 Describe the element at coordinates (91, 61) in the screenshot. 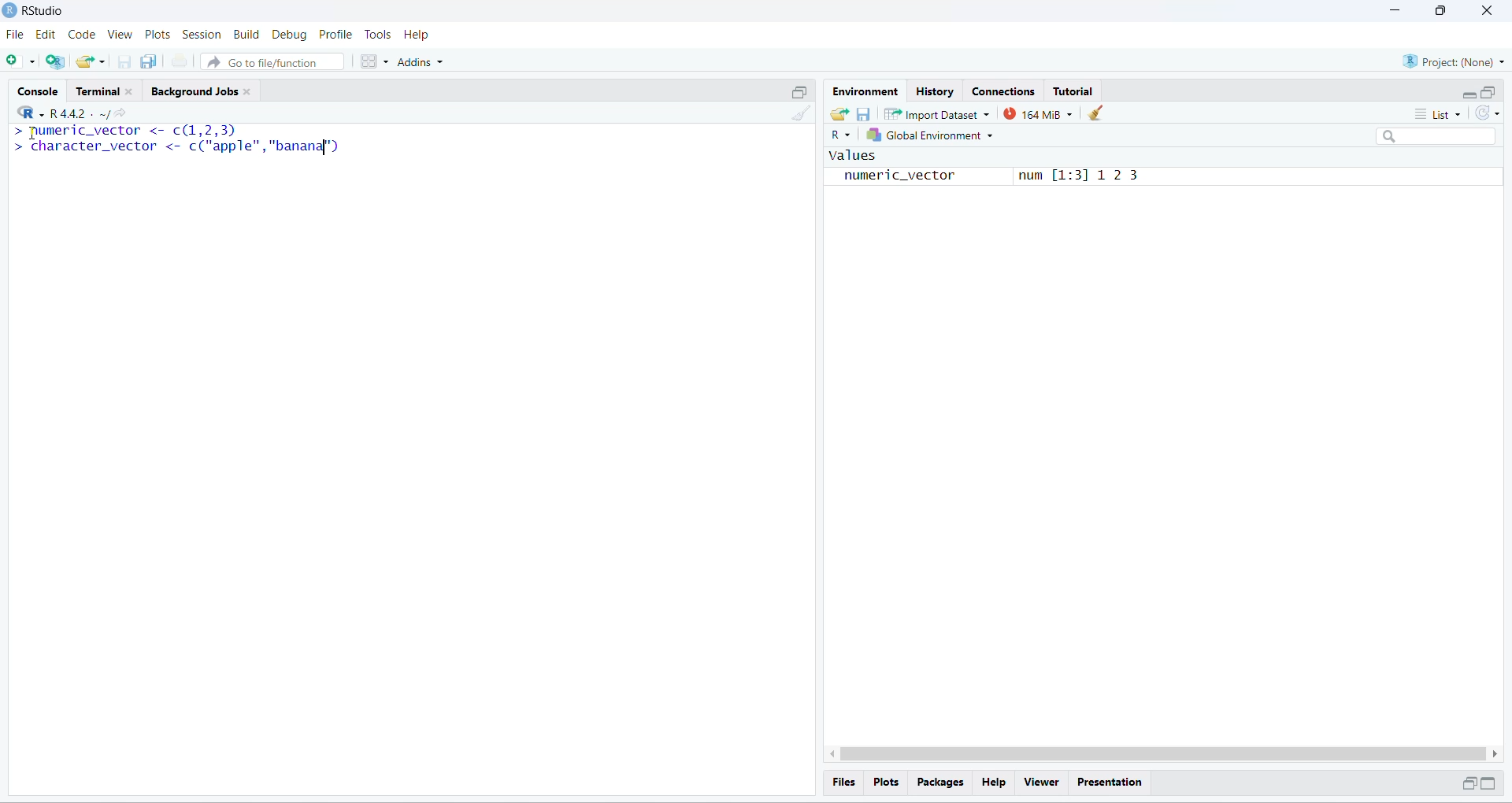

I see `open existing project` at that location.